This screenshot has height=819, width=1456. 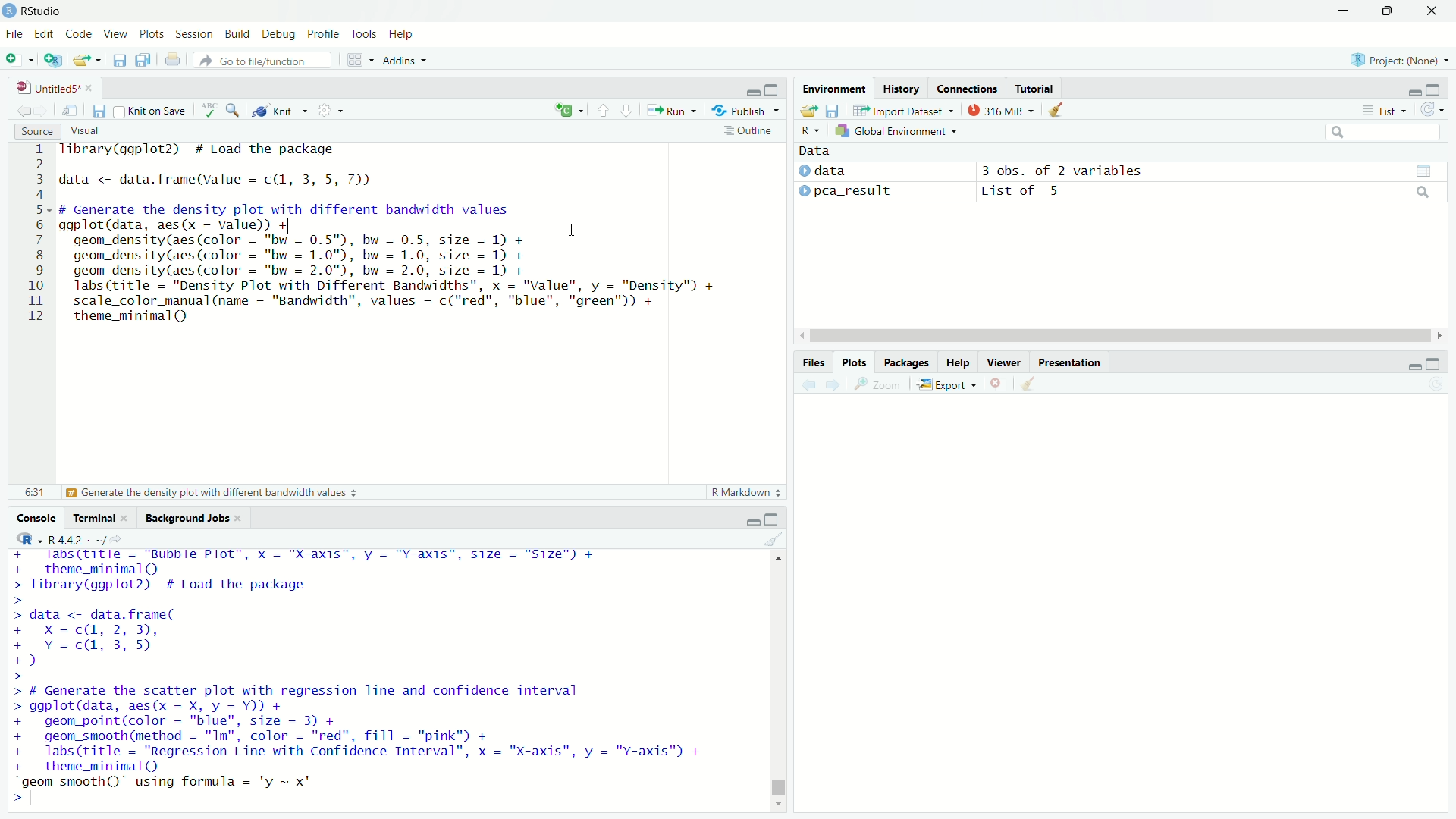 I want to click on Go back to previous source location, so click(x=21, y=109).